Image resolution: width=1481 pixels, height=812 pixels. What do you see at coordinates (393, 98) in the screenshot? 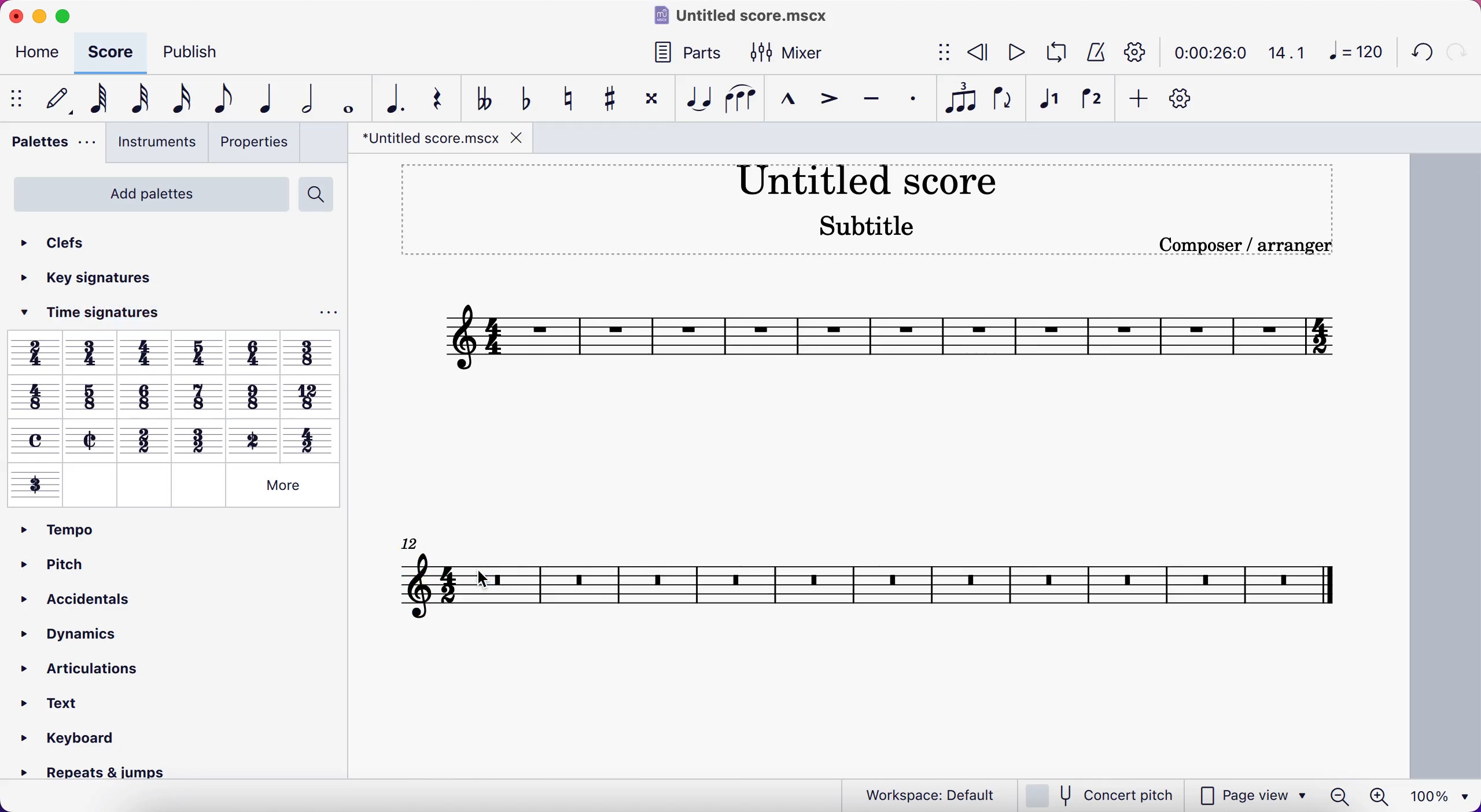
I see `augmentation dot` at bounding box center [393, 98].